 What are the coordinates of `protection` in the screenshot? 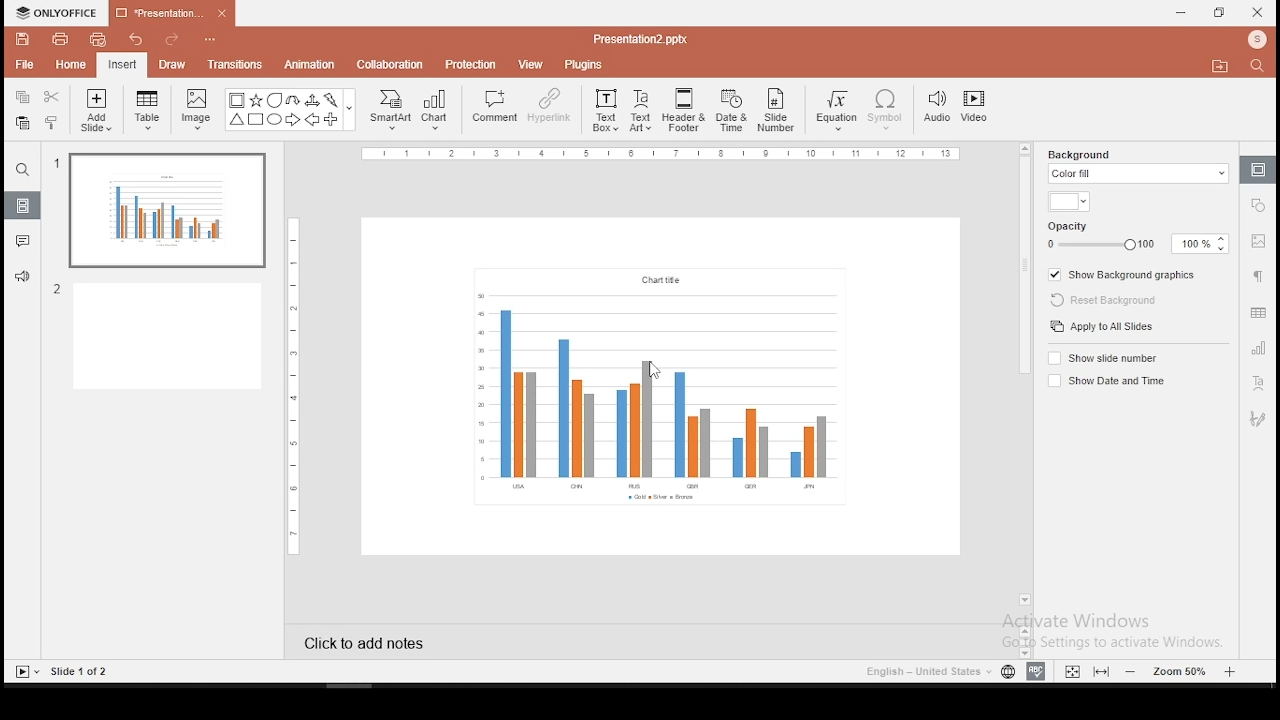 It's located at (472, 65).